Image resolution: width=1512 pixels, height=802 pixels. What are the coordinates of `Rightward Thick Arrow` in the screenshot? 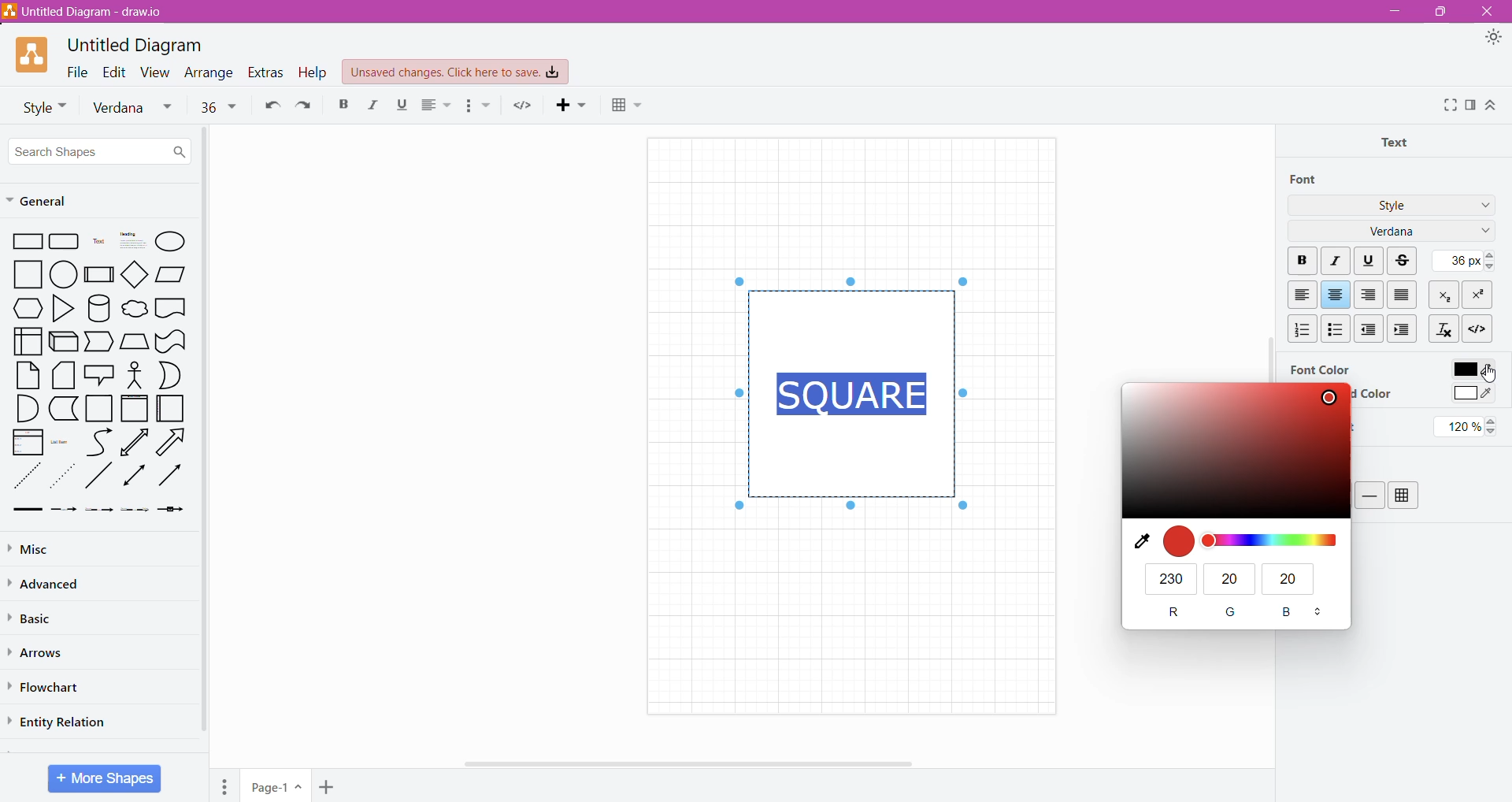 It's located at (171, 474).